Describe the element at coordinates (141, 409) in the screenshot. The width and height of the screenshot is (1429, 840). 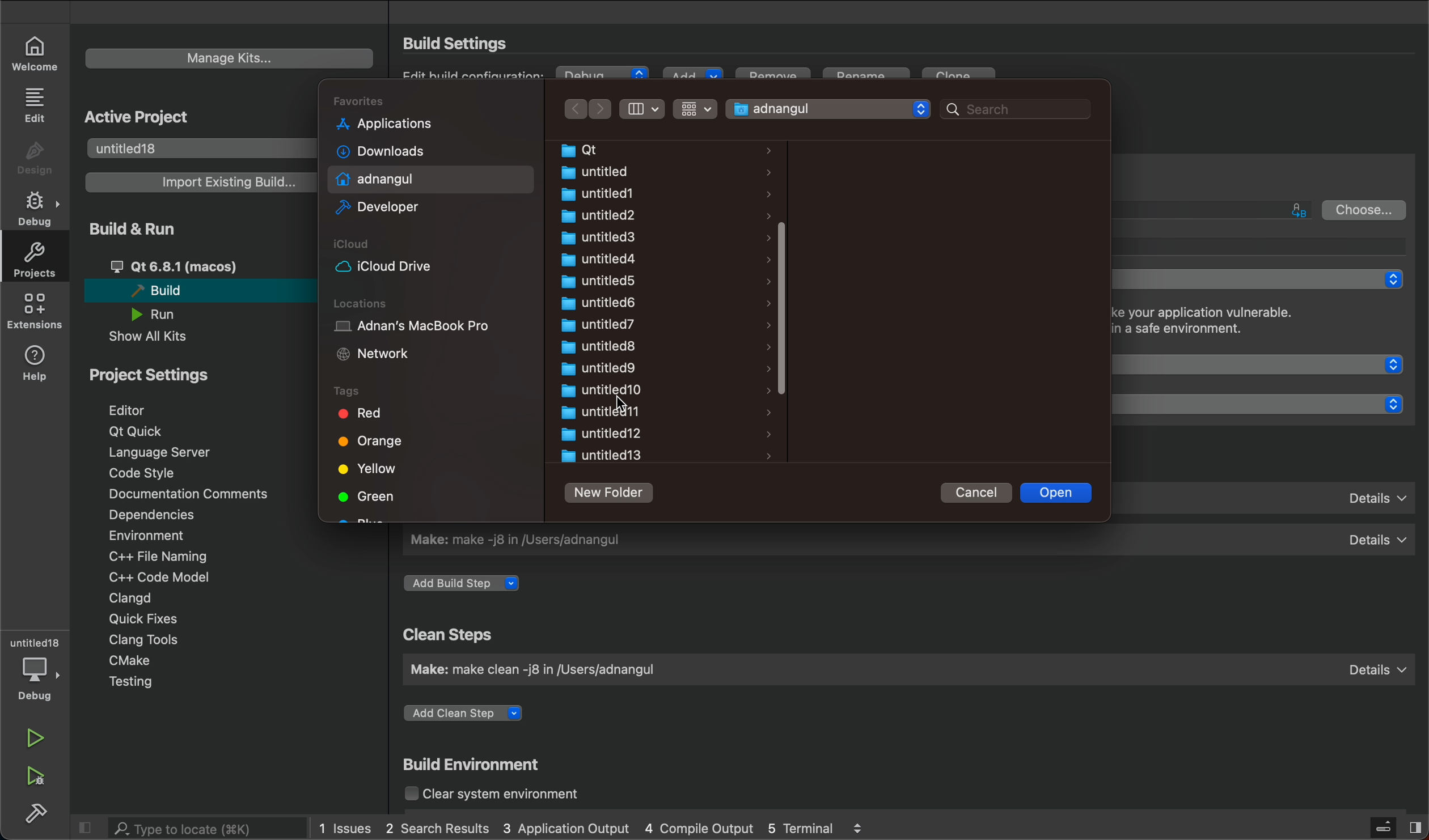
I see `editor` at that location.